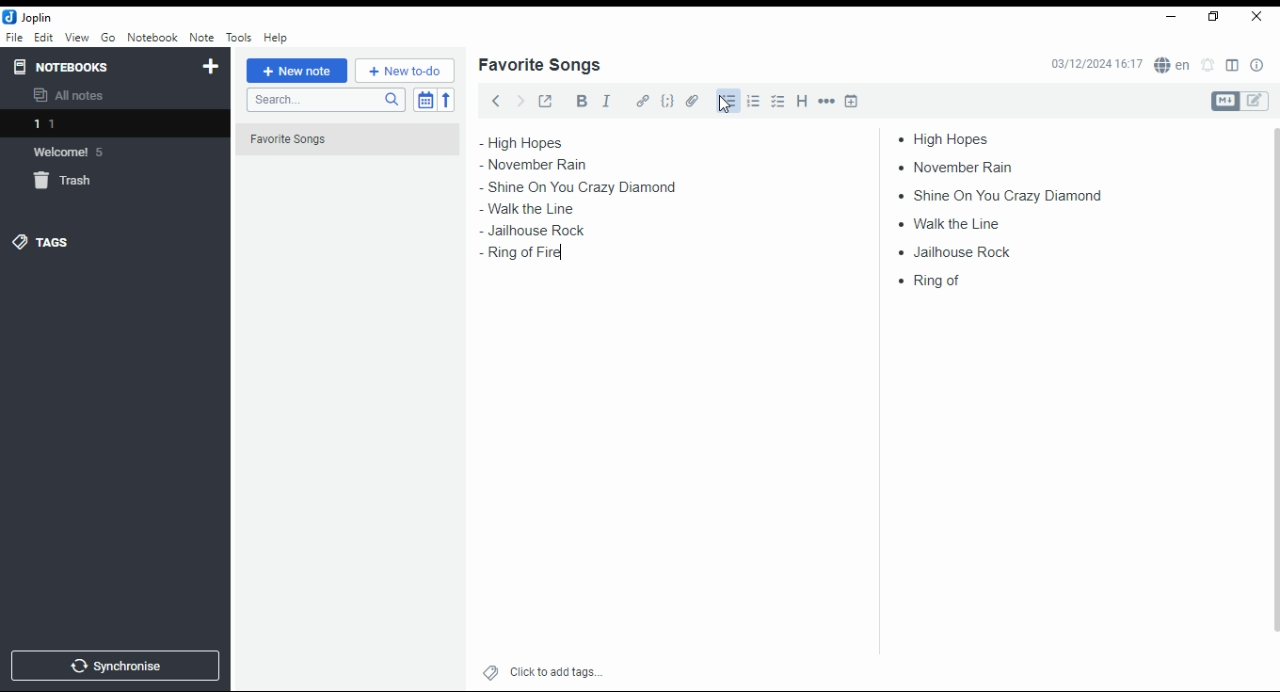 The height and width of the screenshot is (692, 1280). I want to click on checkbox, so click(776, 103).